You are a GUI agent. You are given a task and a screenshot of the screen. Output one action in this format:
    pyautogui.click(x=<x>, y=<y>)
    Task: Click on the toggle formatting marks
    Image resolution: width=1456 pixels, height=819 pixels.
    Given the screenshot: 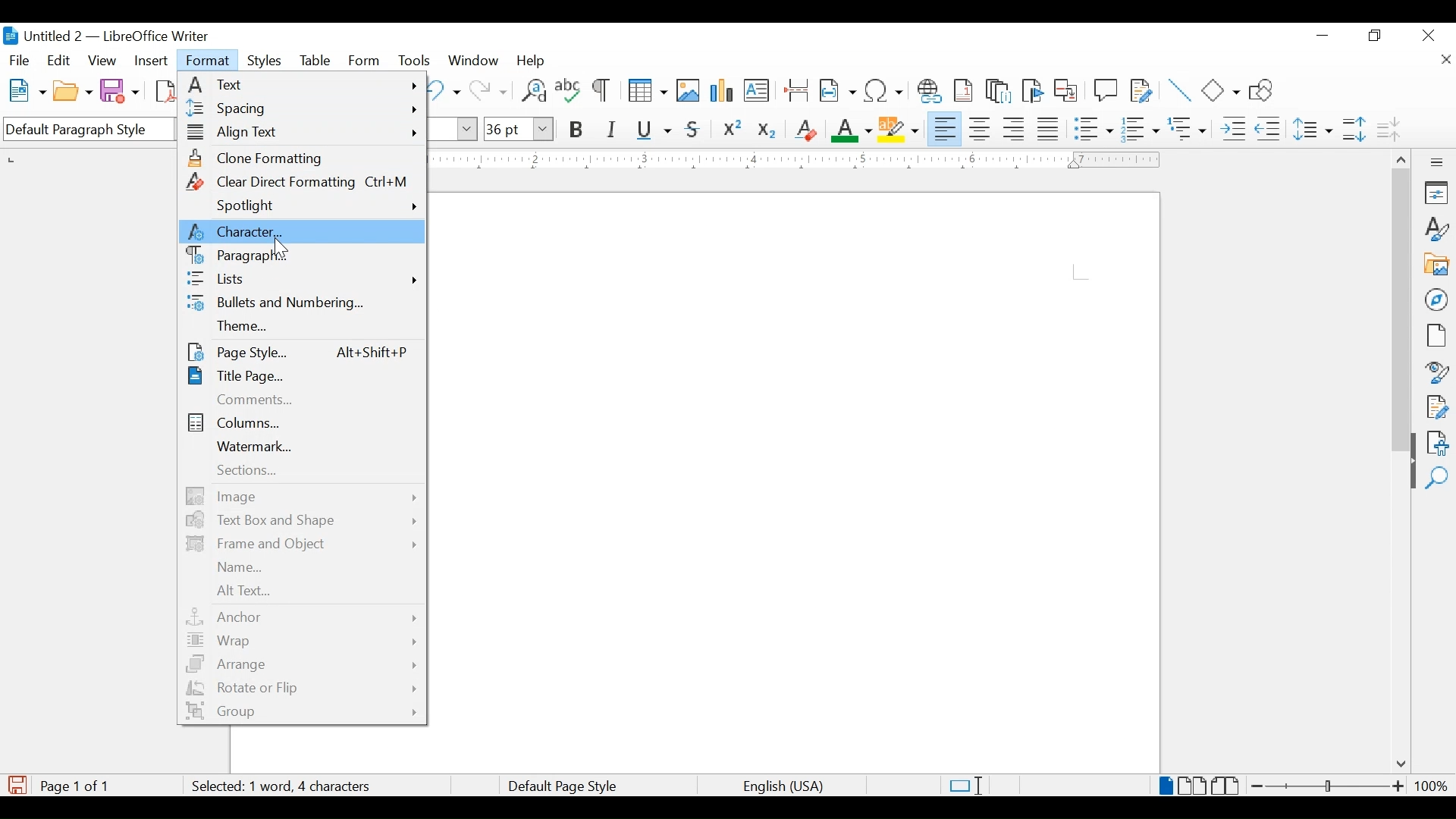 What is the action you would take?
    pyautogui.click(x=603, y=92)
    